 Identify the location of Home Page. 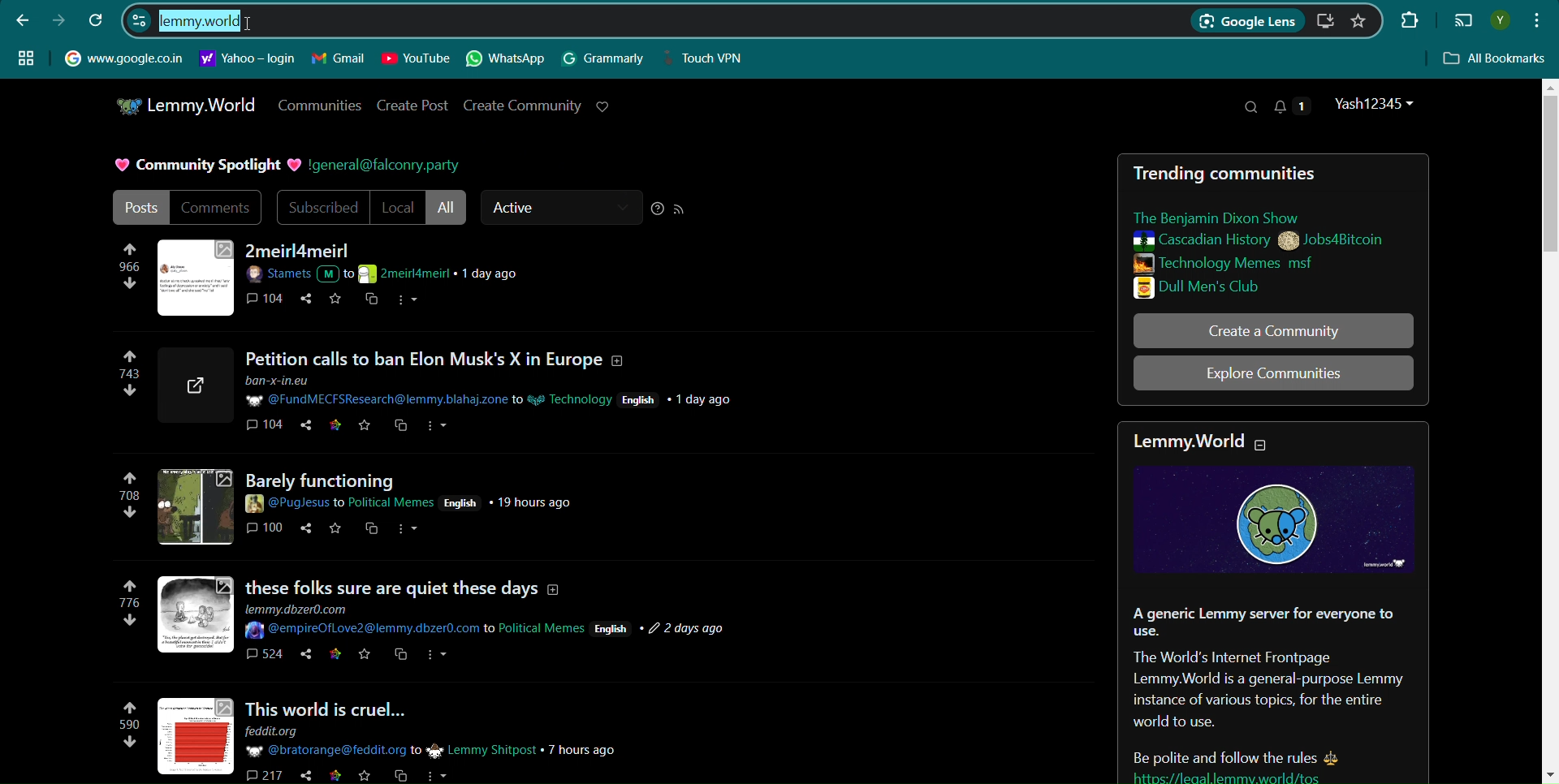
(184, 106).